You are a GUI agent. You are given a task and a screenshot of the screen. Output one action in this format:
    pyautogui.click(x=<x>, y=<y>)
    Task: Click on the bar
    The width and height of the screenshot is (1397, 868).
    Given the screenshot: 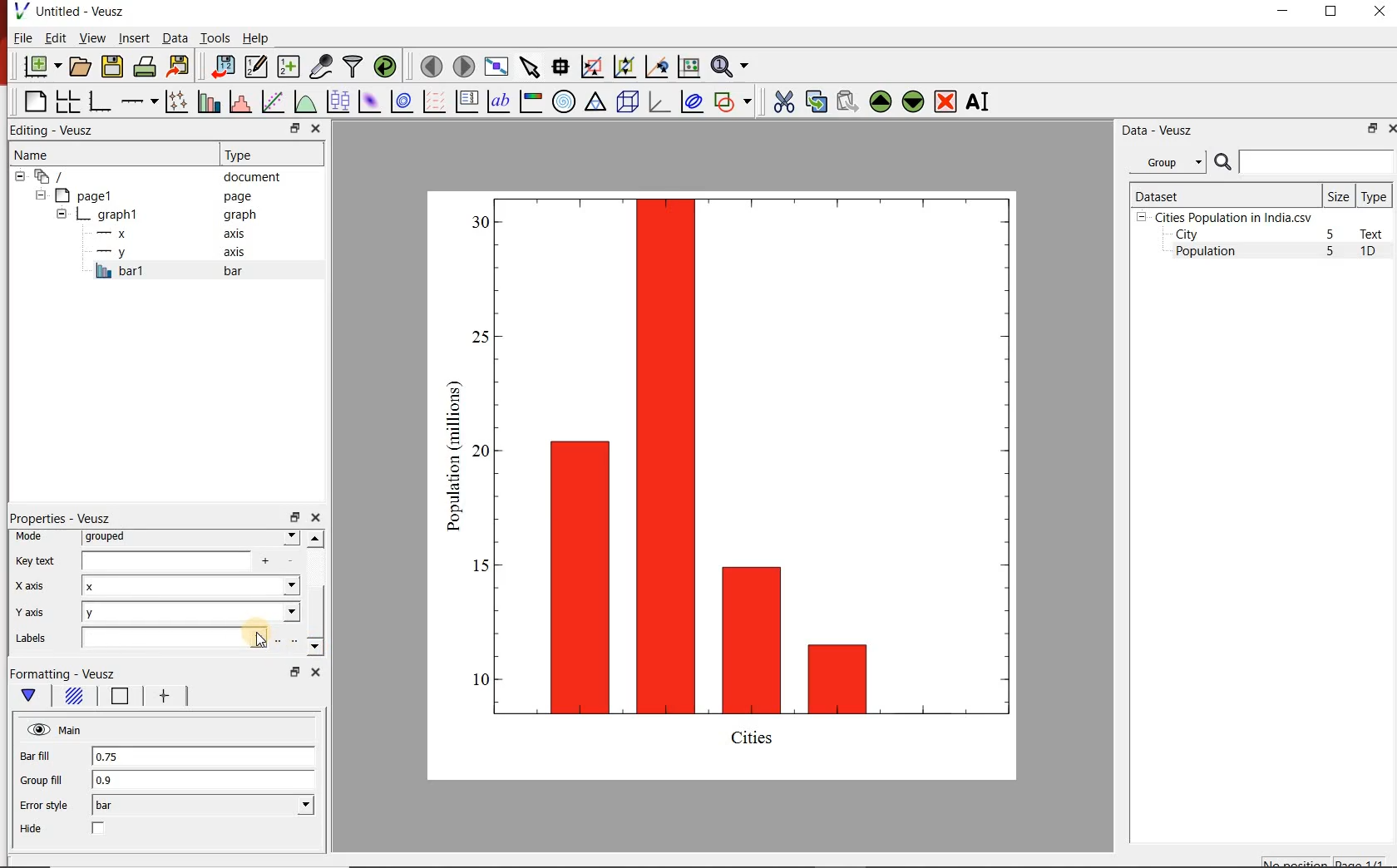 What is the action you would take?
    pyautogui.click(x=203, y=806)
    